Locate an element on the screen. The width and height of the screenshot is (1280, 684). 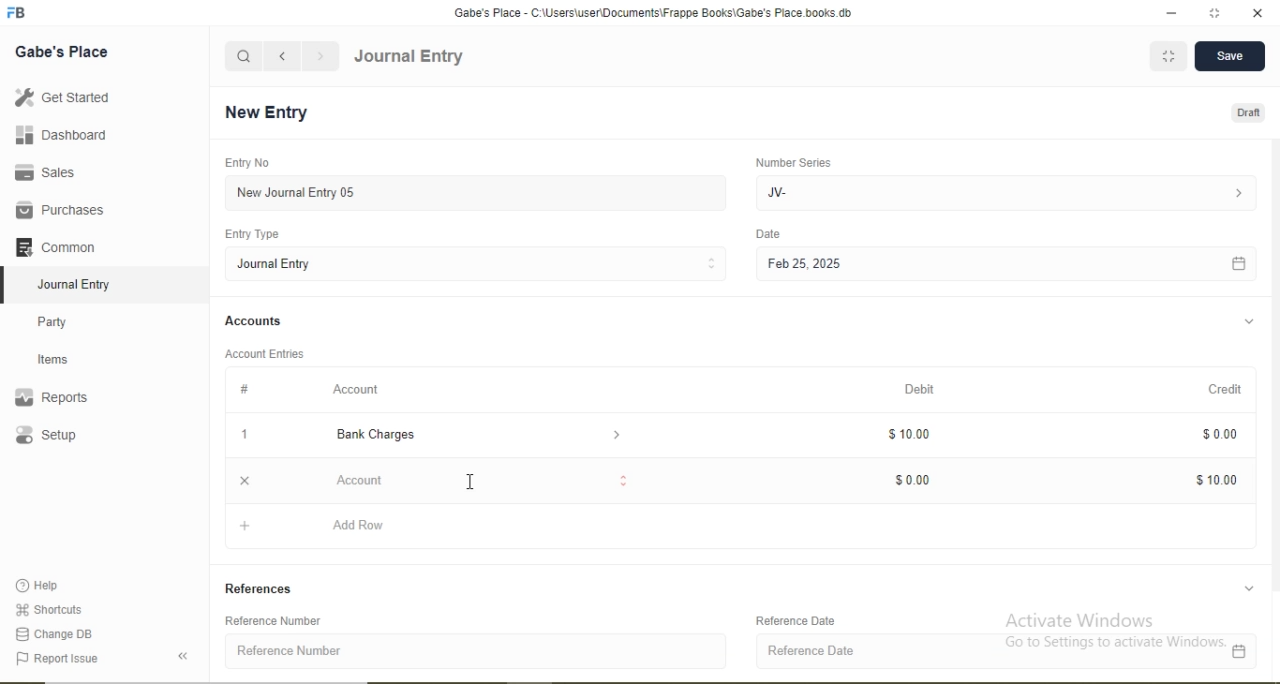
Gabe's Place is located at coordinates (64, 51).